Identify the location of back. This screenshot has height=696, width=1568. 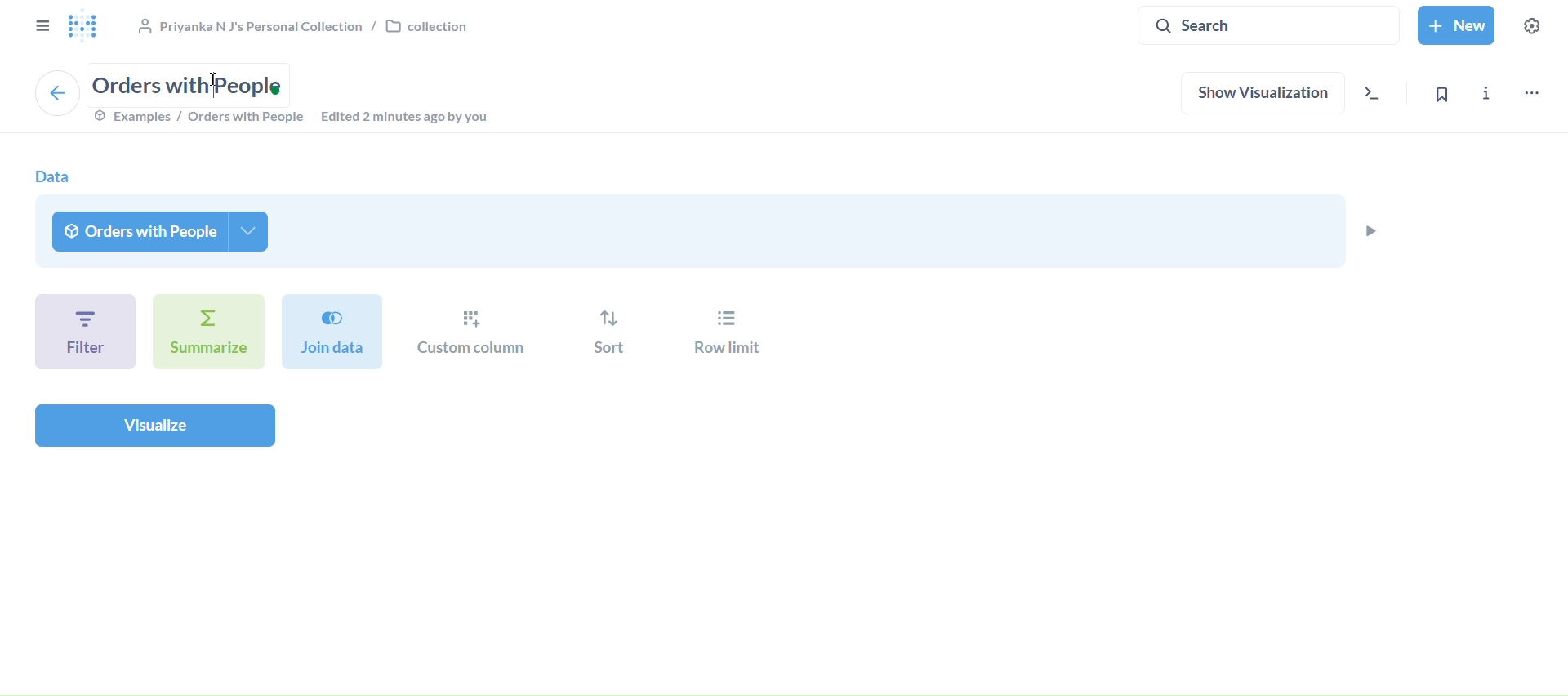
(57, 92).